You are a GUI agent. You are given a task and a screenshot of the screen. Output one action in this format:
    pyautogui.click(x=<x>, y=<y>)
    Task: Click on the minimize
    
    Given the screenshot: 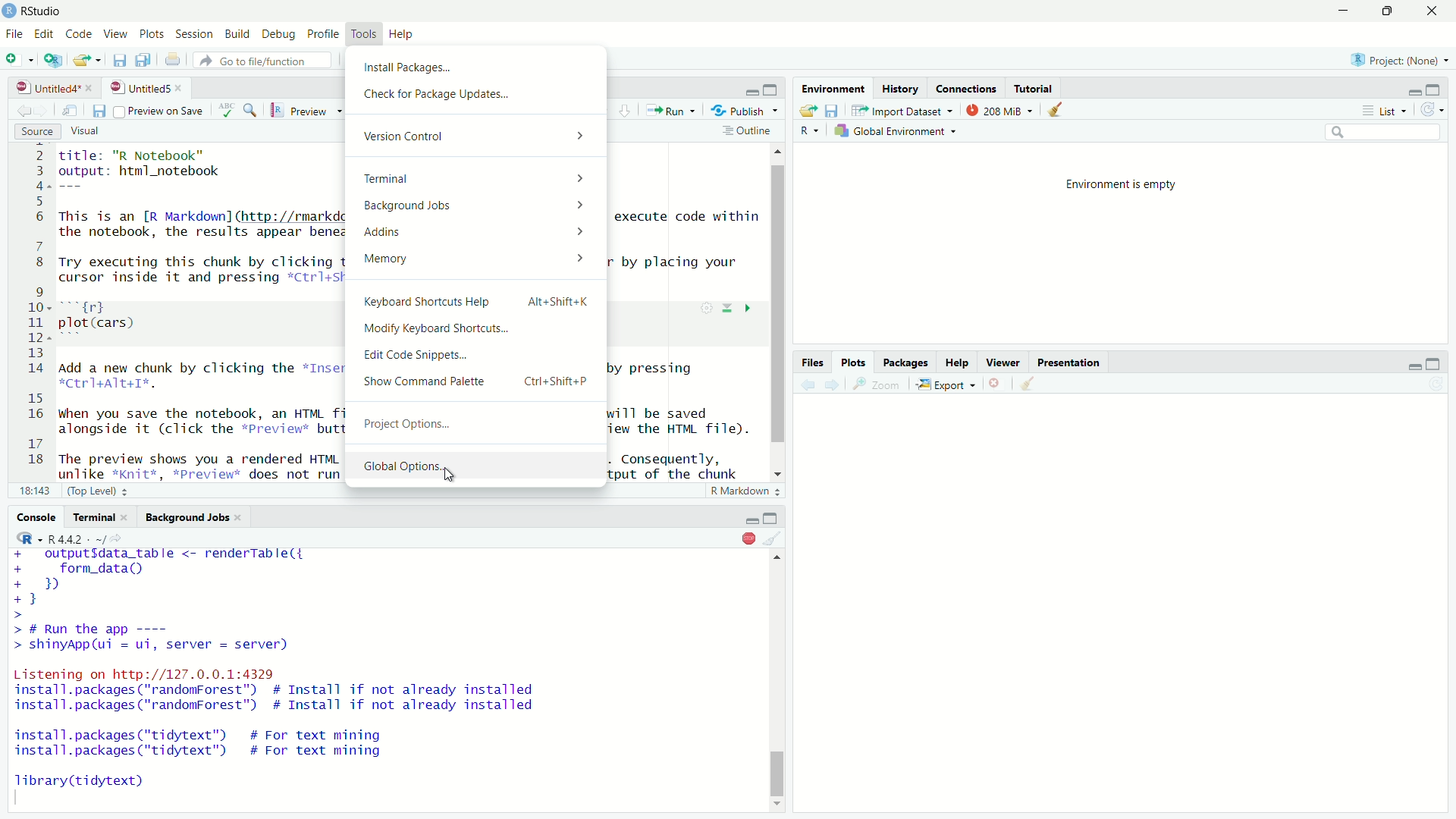 What is the action you would take?
    pyautogui.click(x=752, y=91)
    